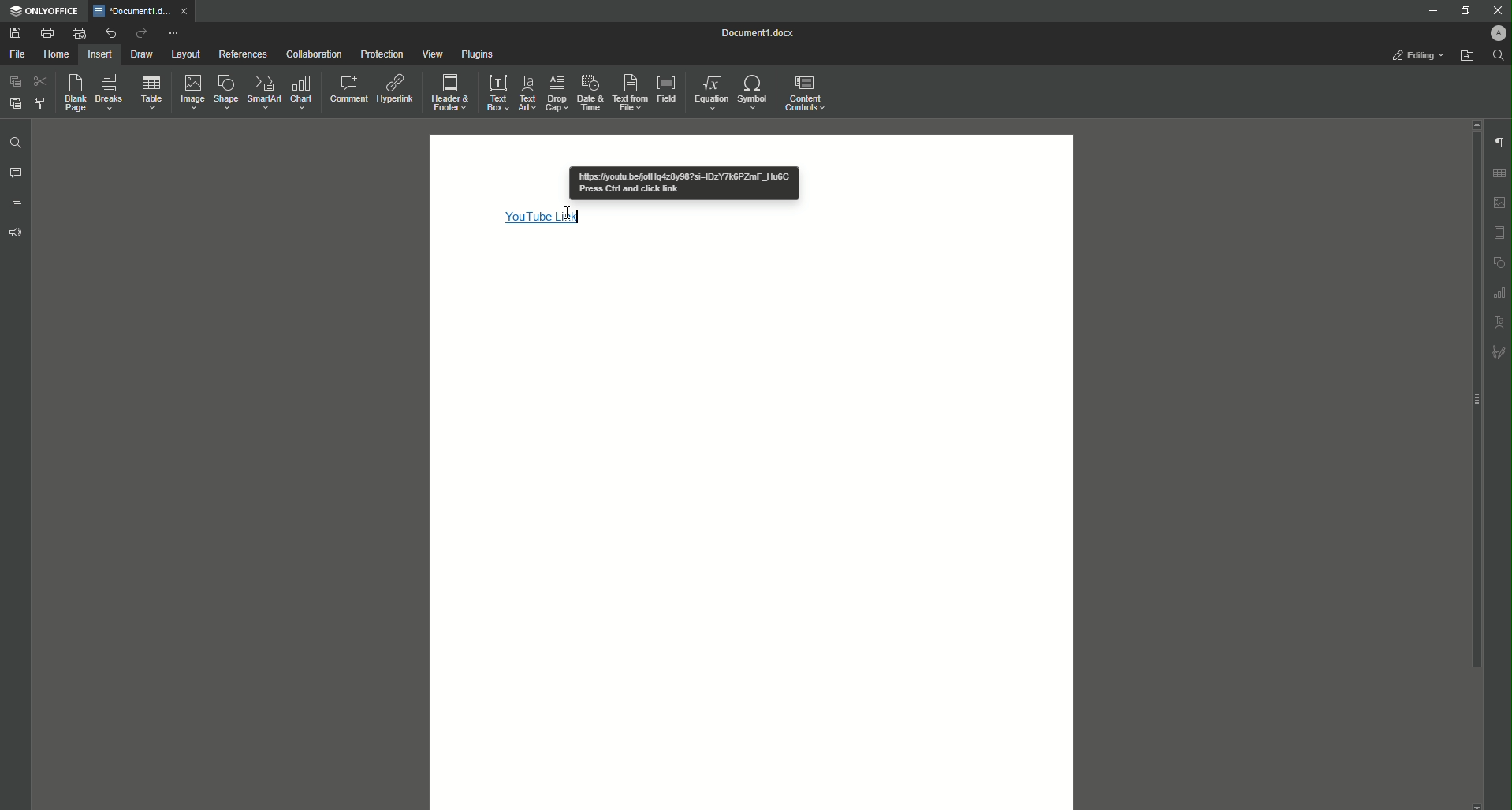  I want to click on Home, so click(58, 54).